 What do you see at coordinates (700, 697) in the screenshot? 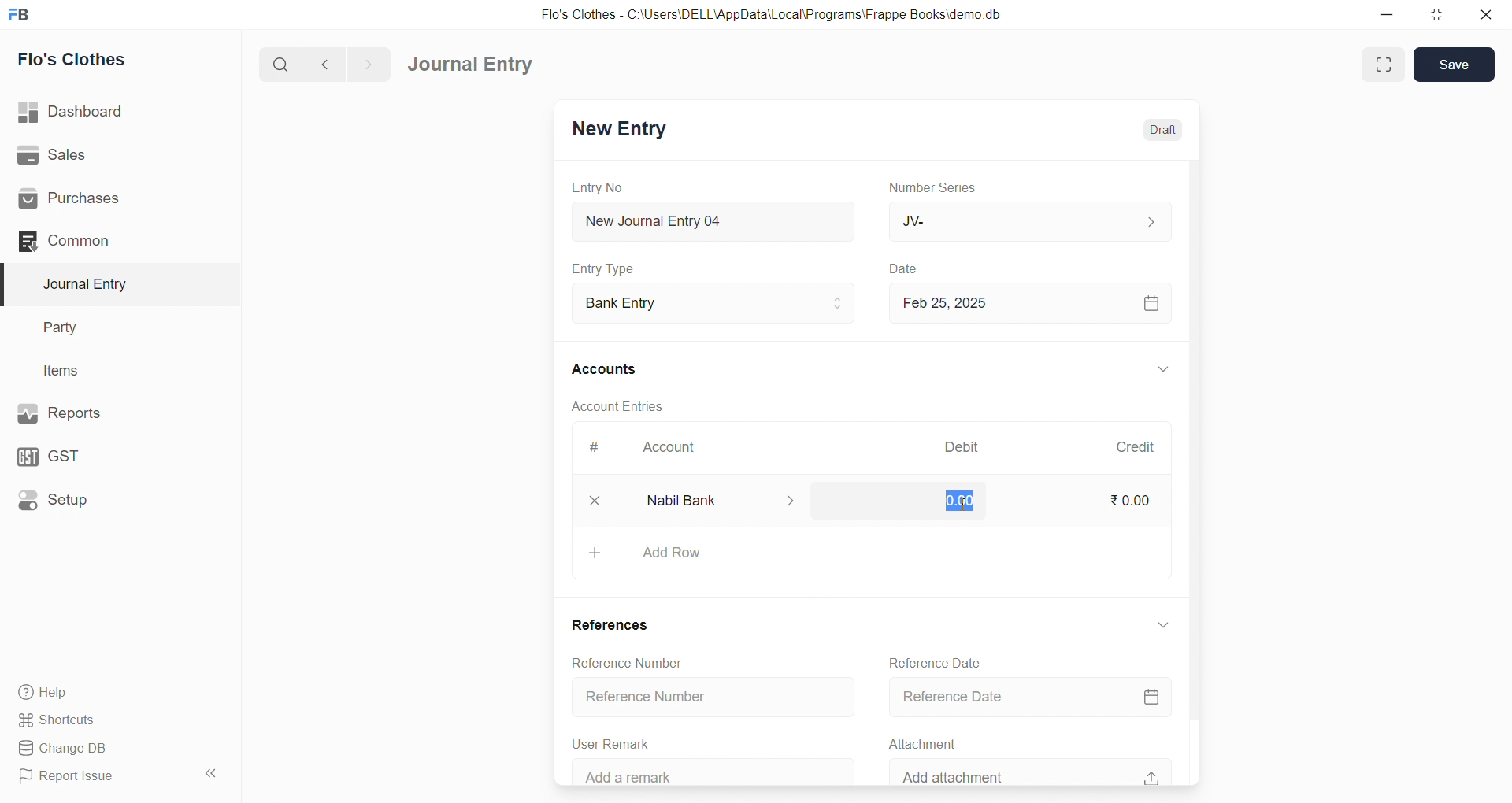
I see `Reference Number` at bounding box center [700, 697].